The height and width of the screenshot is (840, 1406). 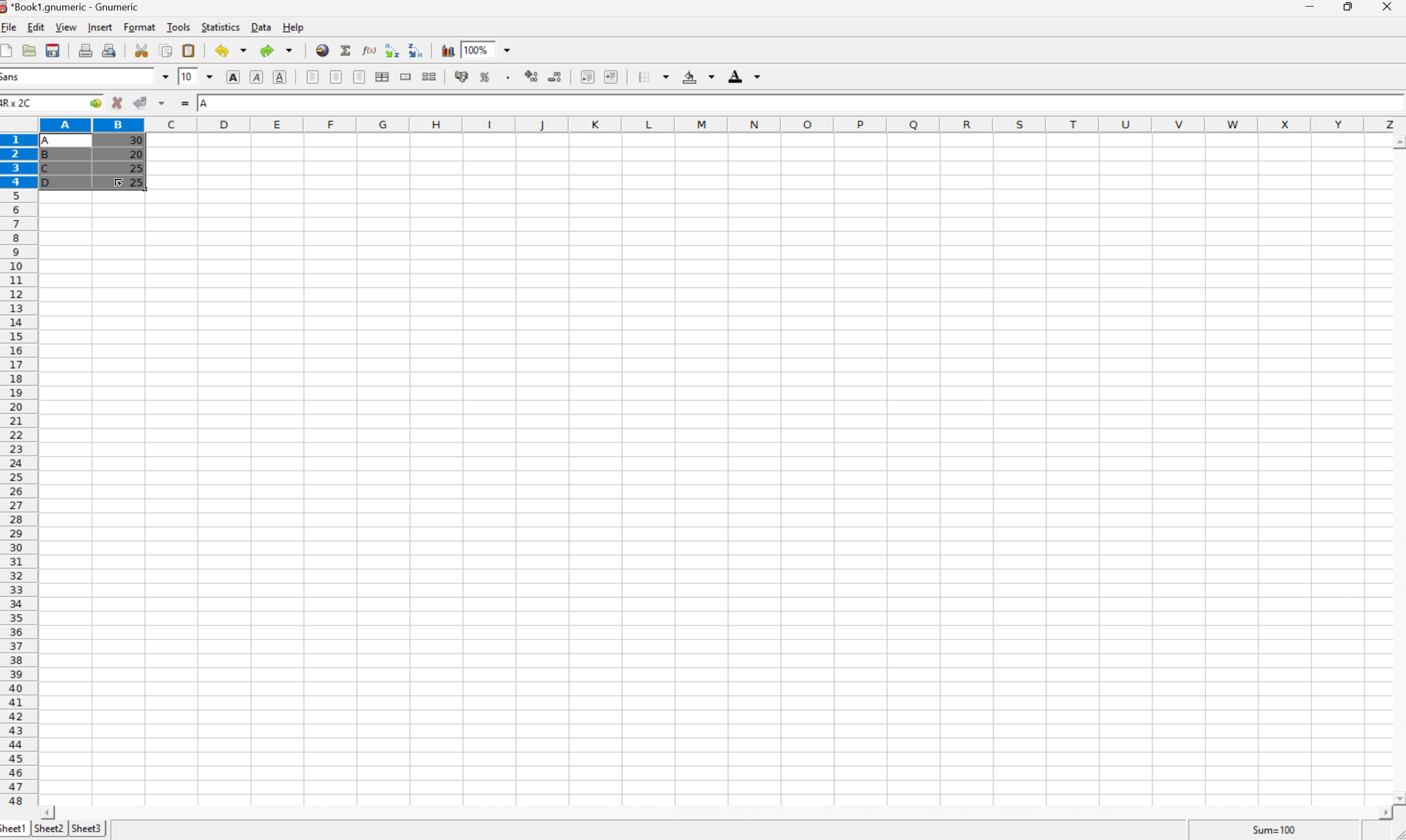 What do you see at coordinates (511, 49) in the screenshot?
I see `Drop Down` at bounding box center [511, 49].